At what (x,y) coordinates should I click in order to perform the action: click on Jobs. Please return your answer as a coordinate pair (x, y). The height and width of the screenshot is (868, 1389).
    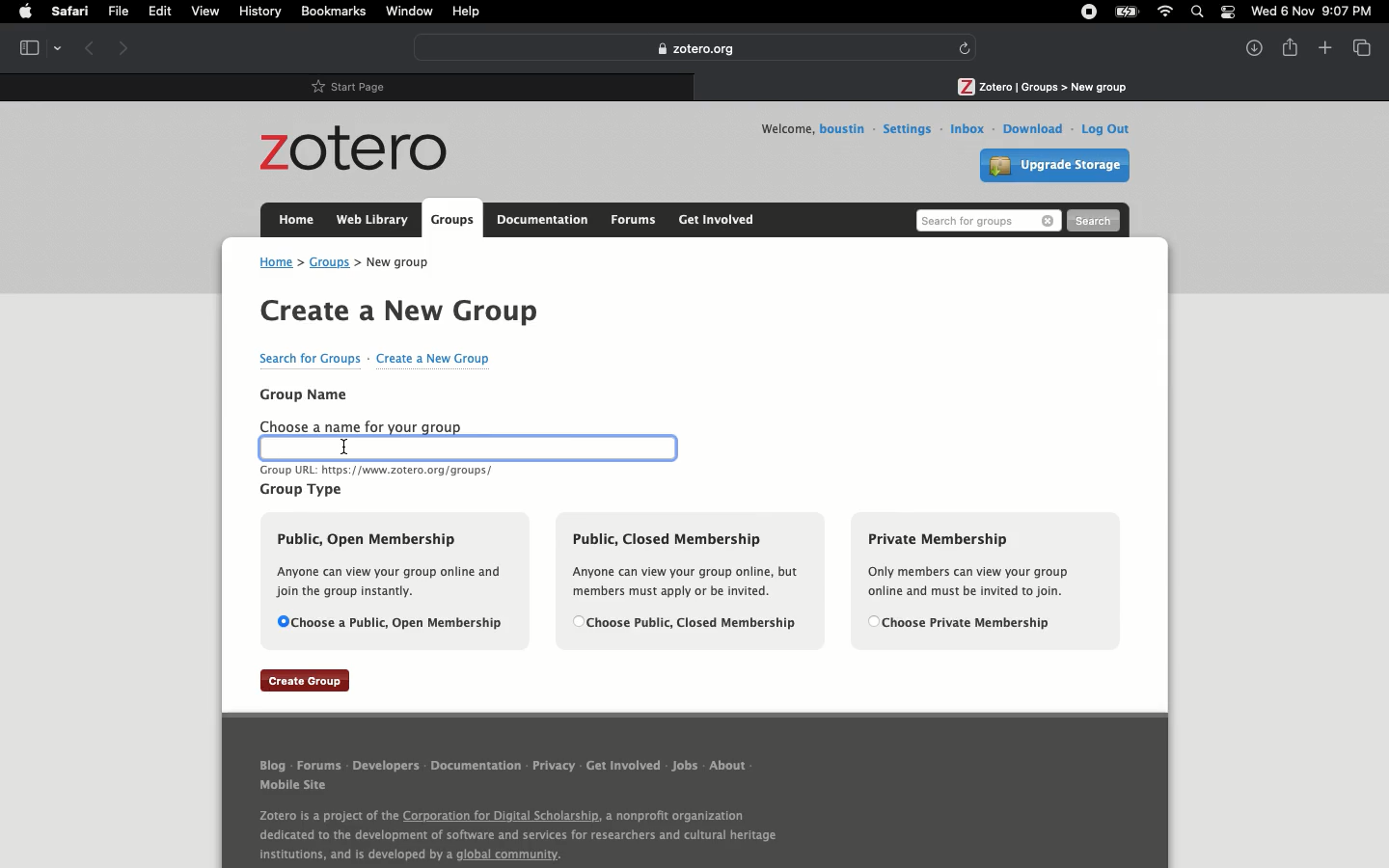
    Looking at the image, I should click on (685, 766).